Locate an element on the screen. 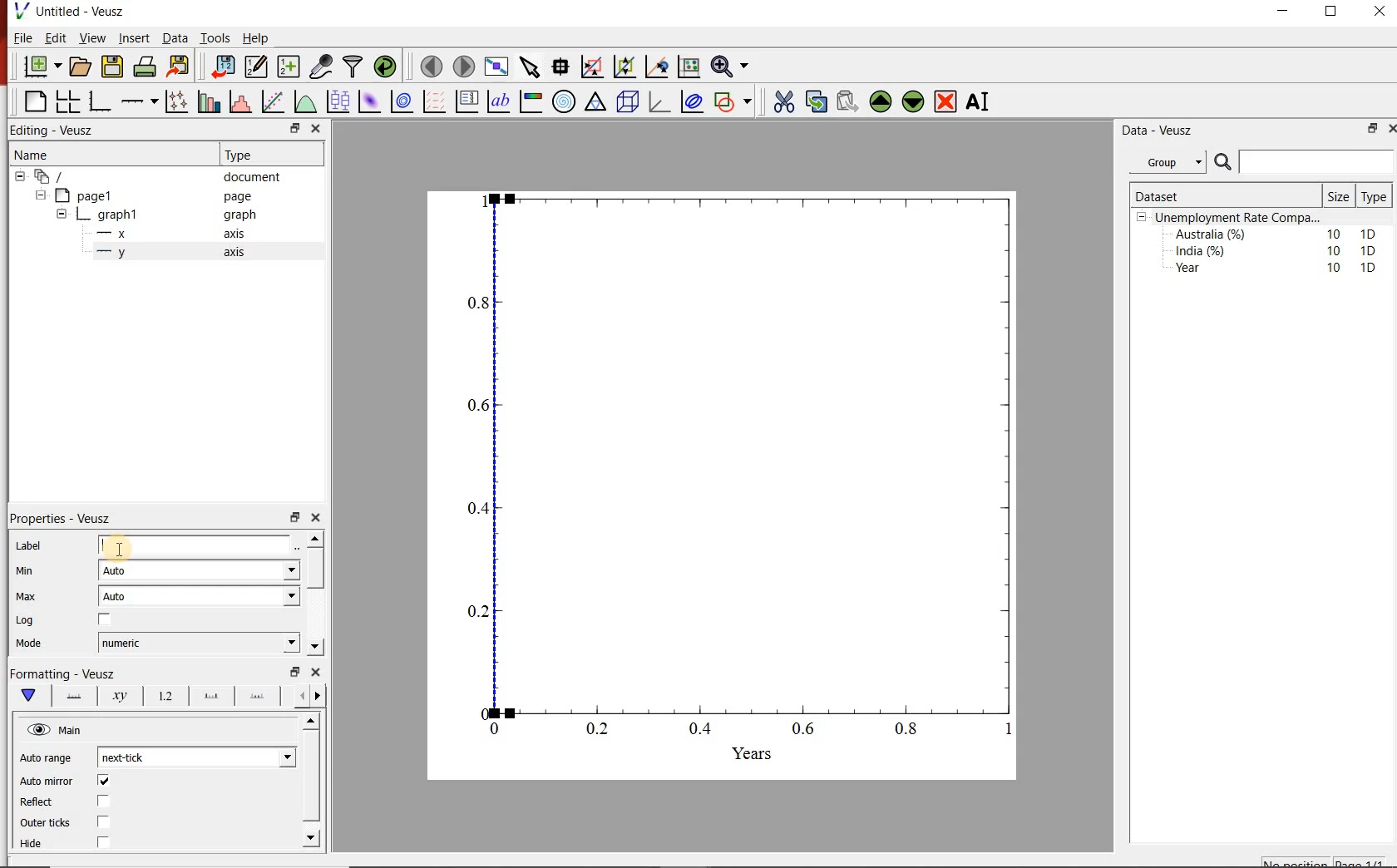  Edit is located at coordinates (53, 37).